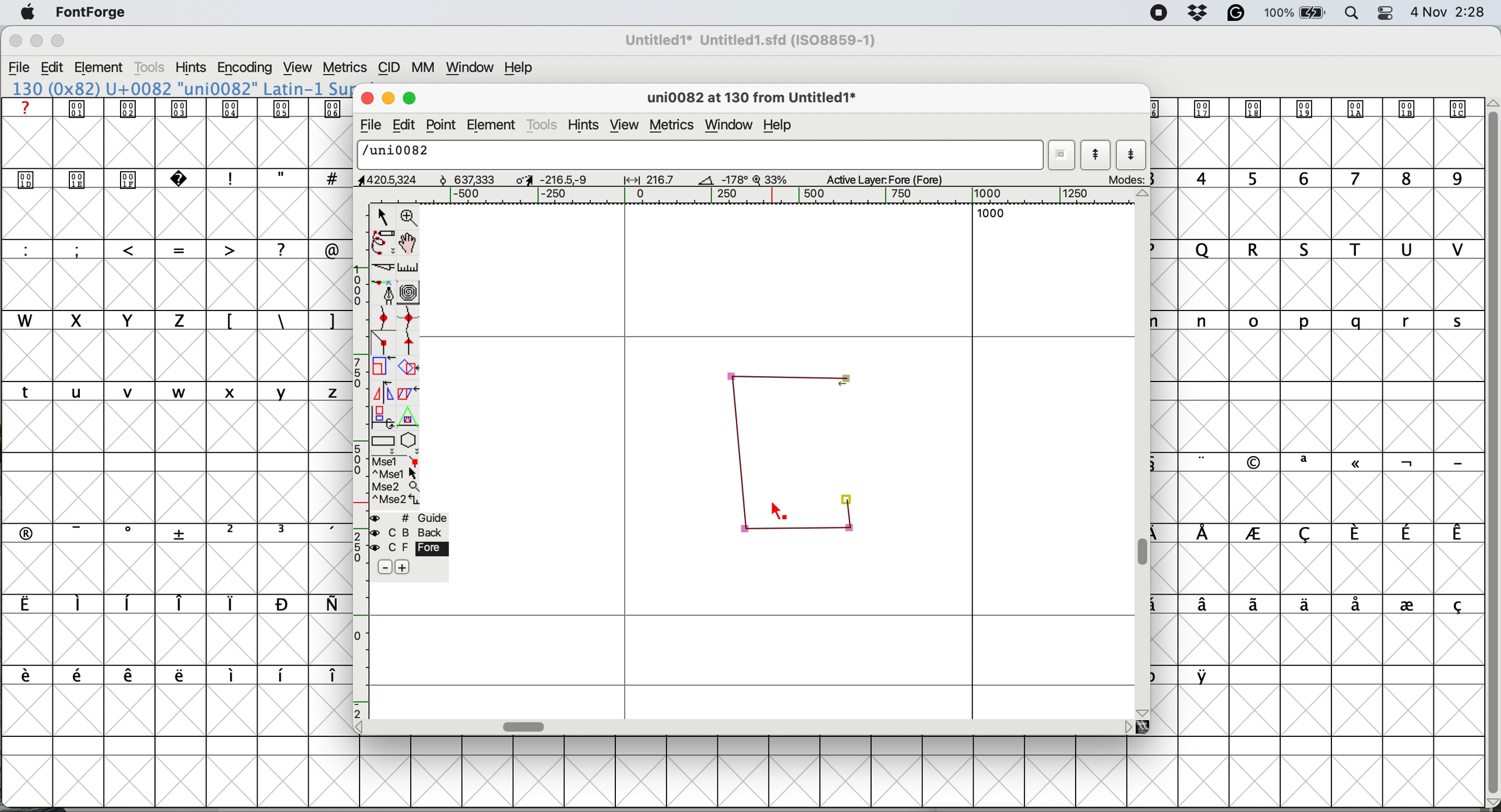  I want to click on corner points connected, so click(852, 519).